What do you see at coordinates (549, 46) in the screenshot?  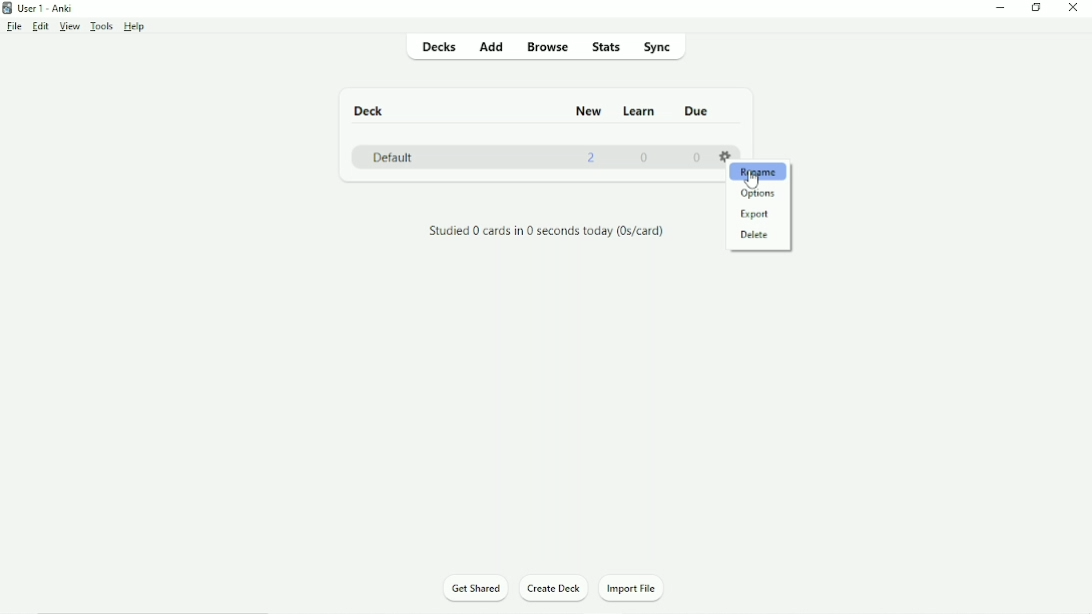 I see `Browse` at bounding box center [549, 46].